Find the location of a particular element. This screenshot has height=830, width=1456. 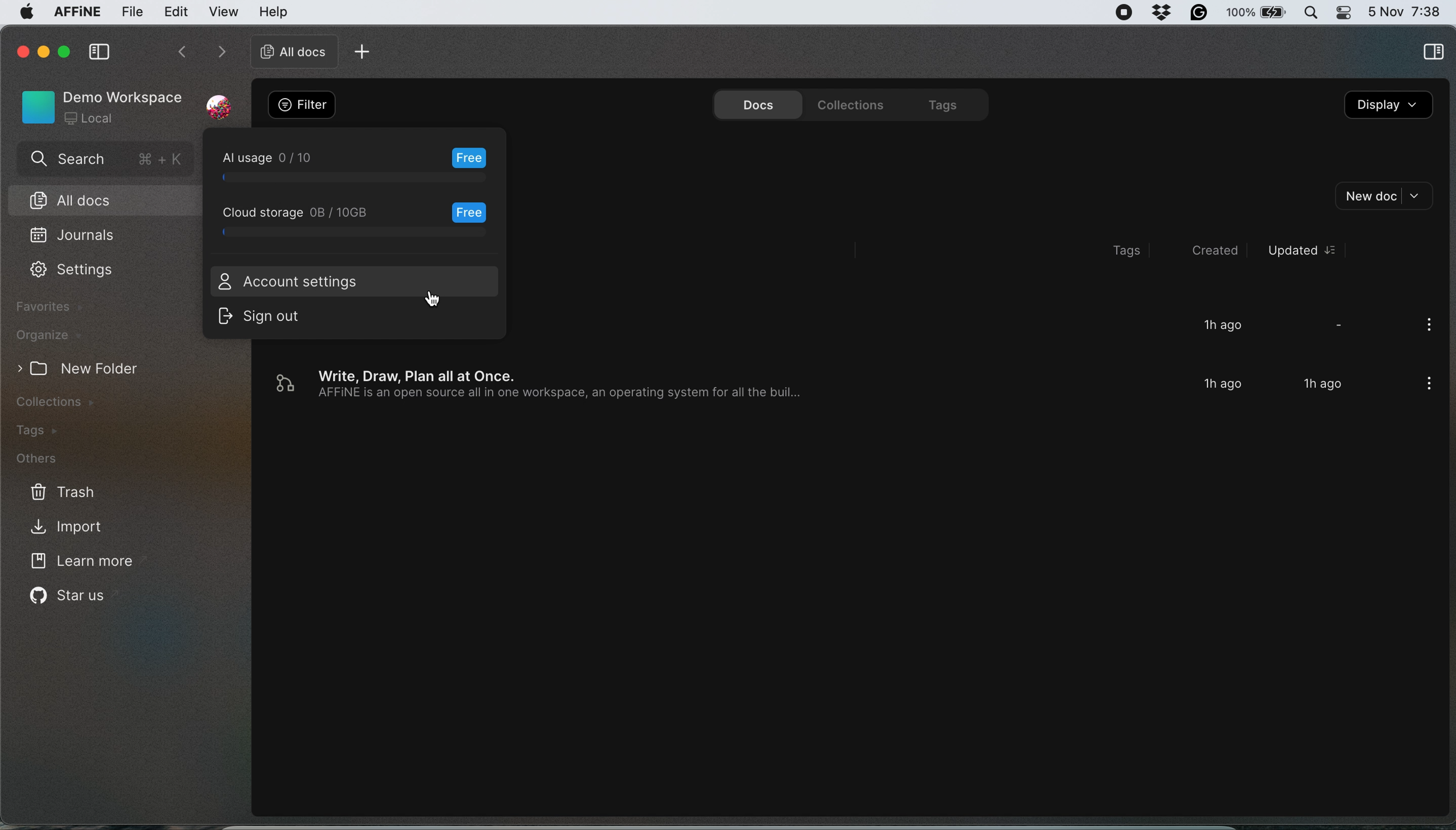

tags is located at coordinates (1130, 251).